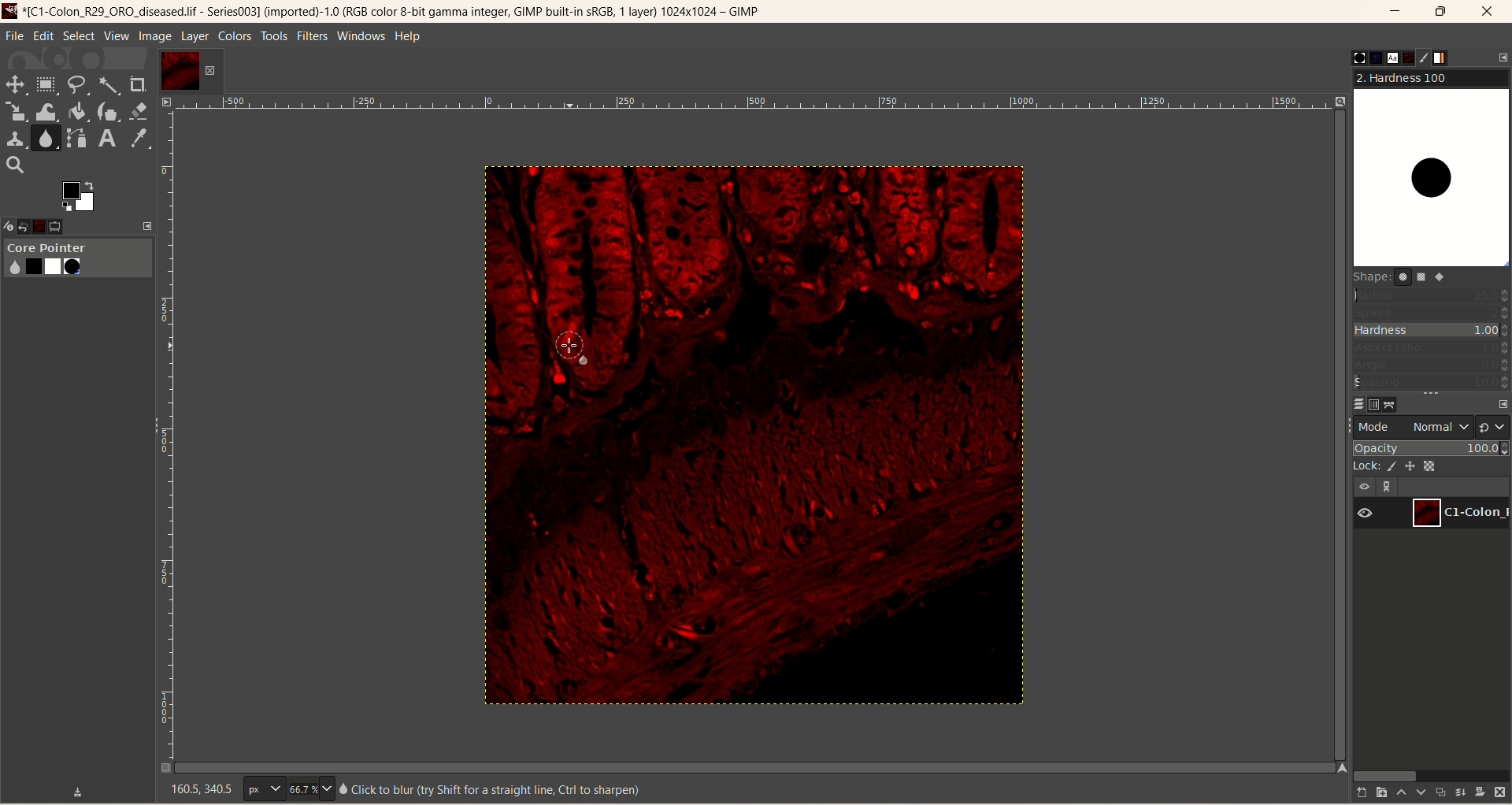  I want to click on text, so click(490, 789).